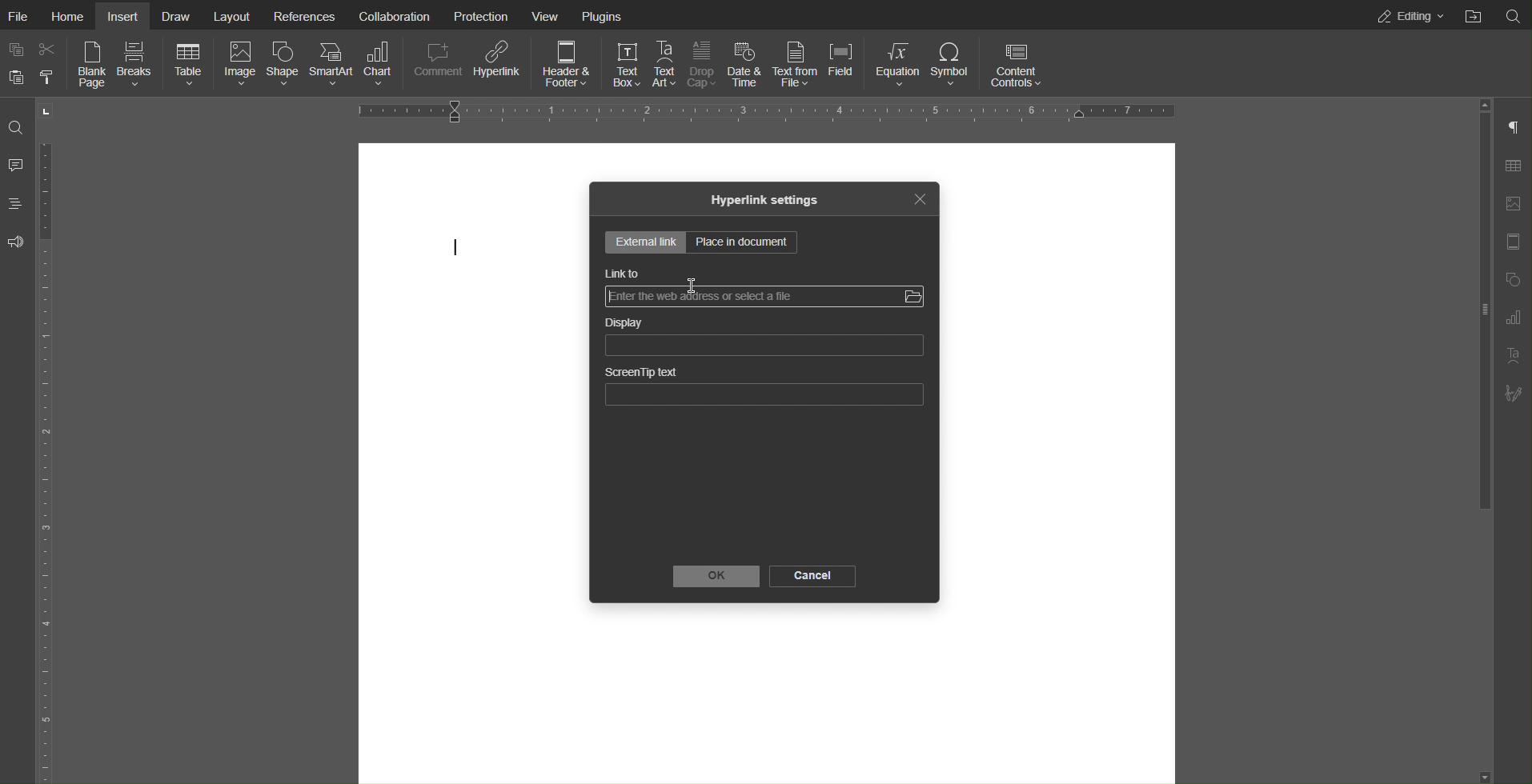 The image size is (1532, 784). What do you see at coordinates (704, 65) in the screenshot?
I see `Drop Cap` at bounding box center [704, 65].